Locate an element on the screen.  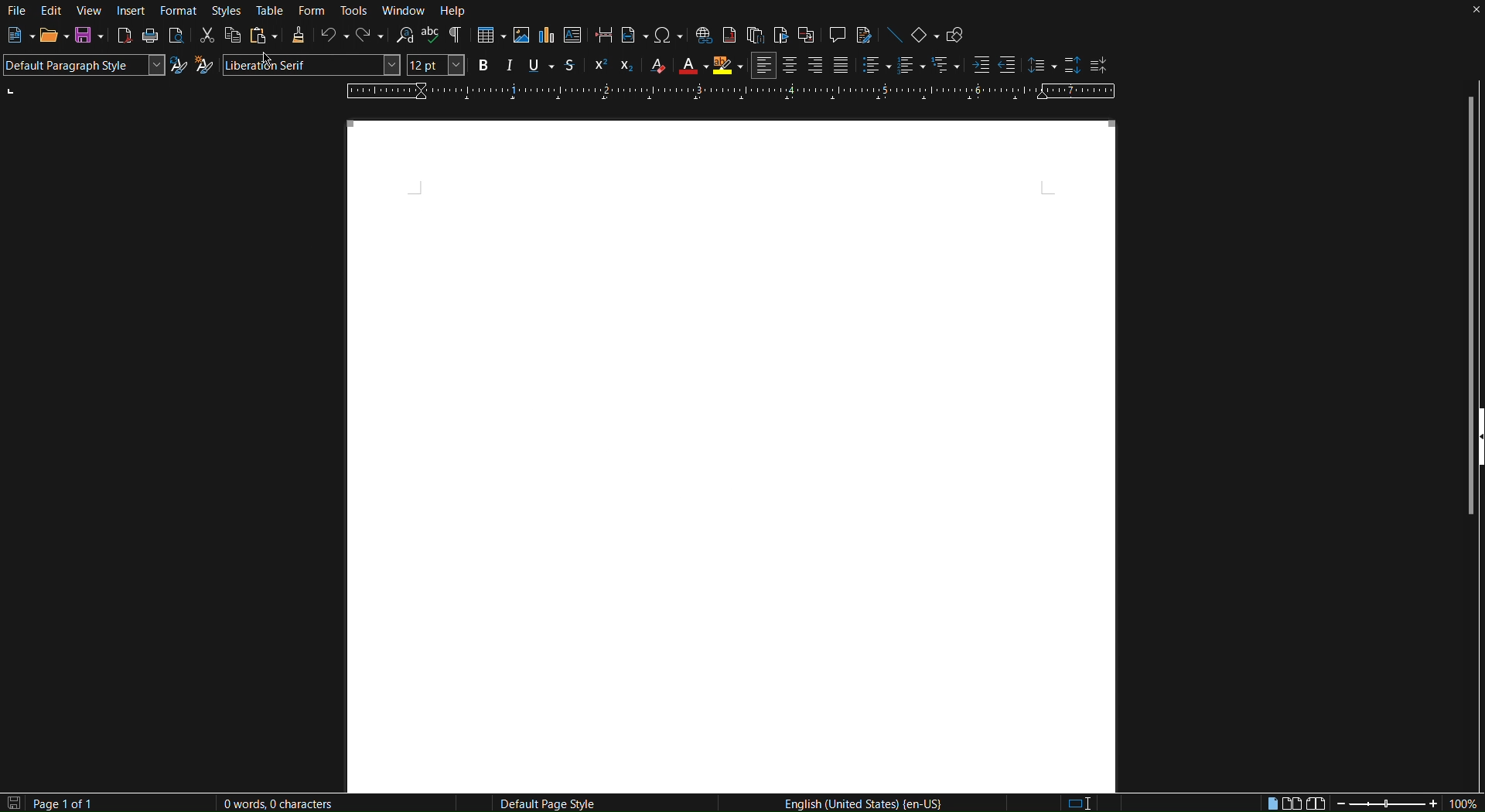
Insert is located at coordinates (131, 11).